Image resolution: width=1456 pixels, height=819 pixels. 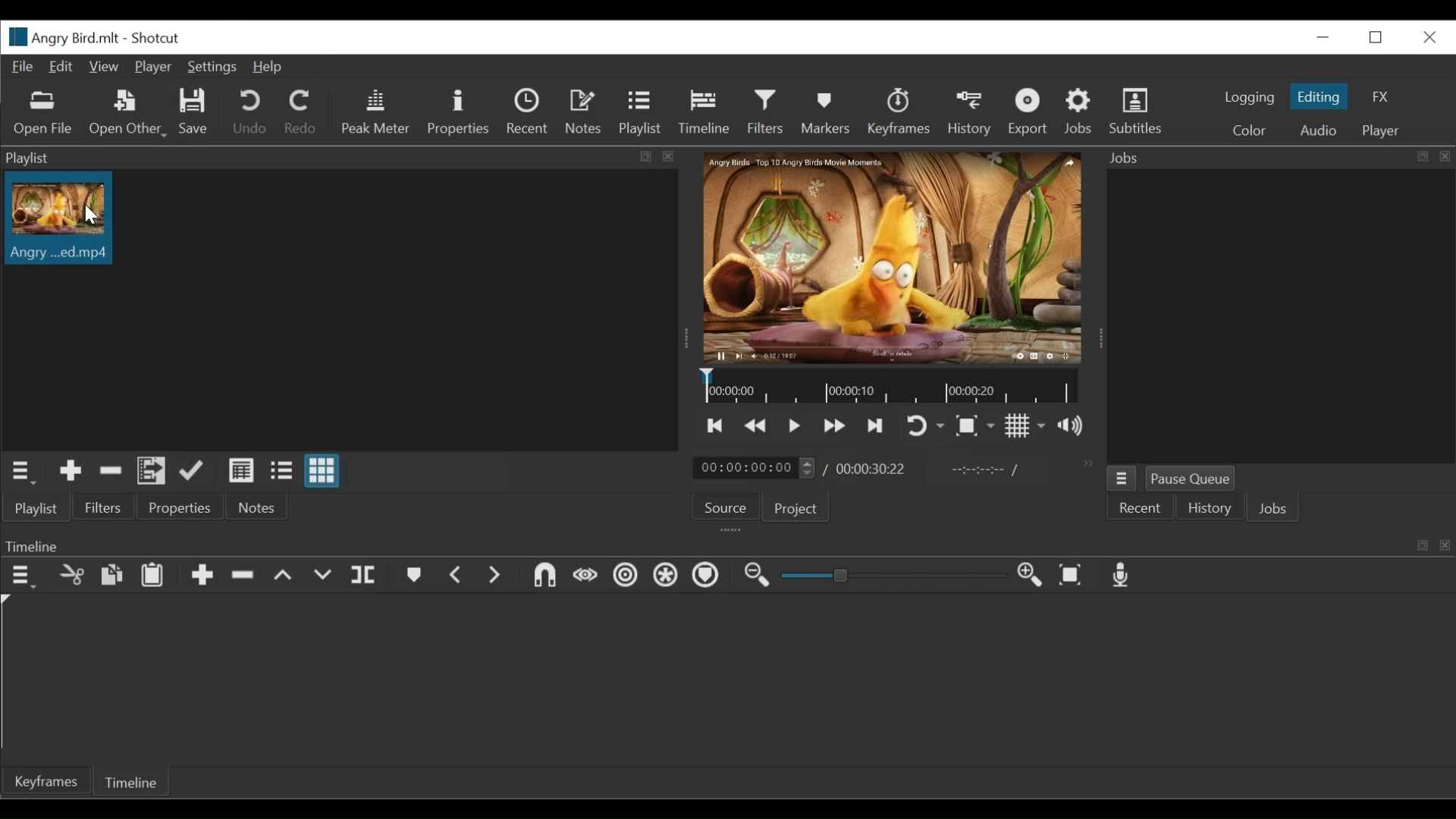 What do you see at coordinates (269, 66) in the screenshot?
I see `Help` at bounding box center [269, 66].